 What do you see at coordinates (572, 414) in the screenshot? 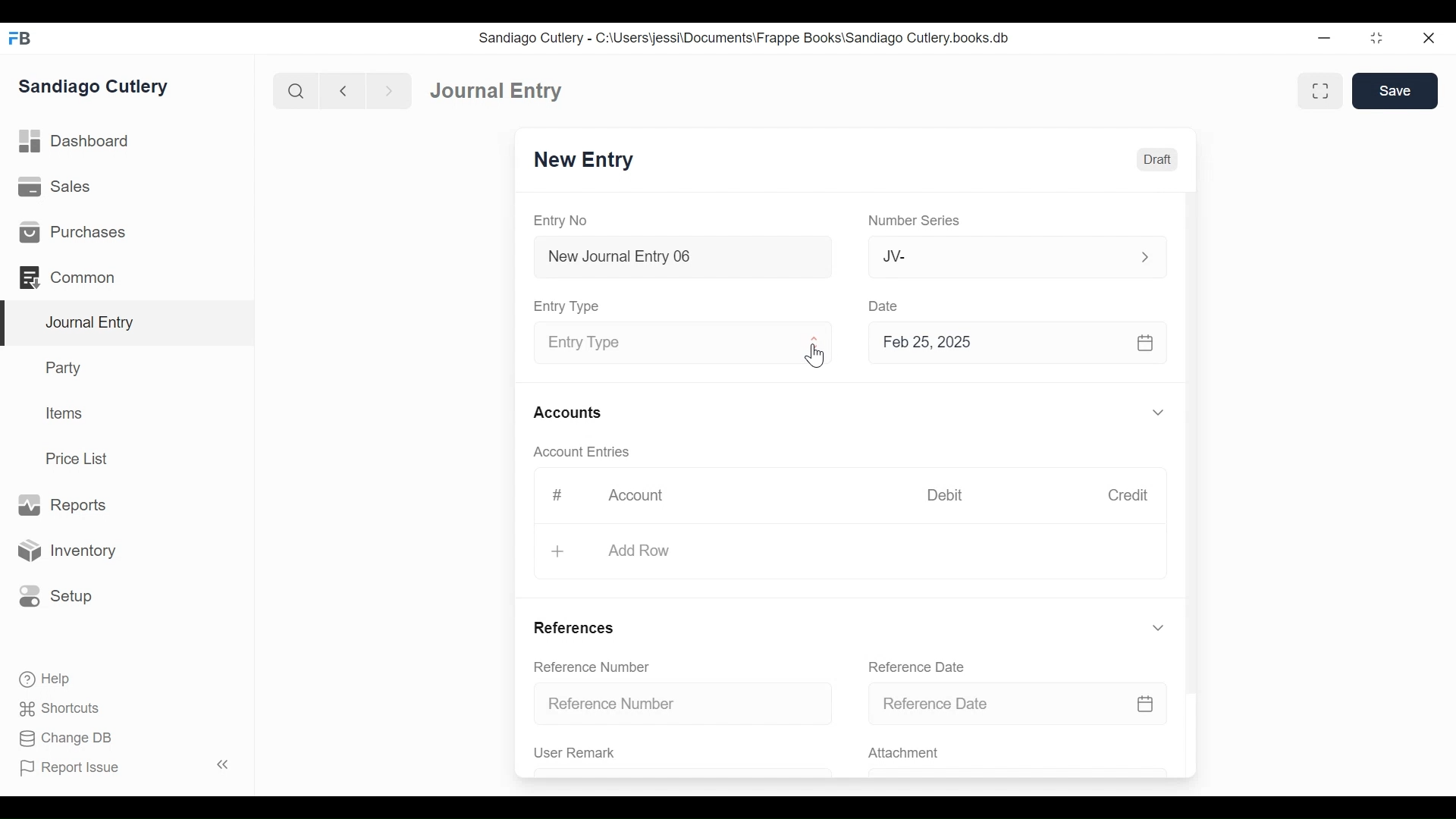
I see `Accounts` at bounding box center [572, 414].